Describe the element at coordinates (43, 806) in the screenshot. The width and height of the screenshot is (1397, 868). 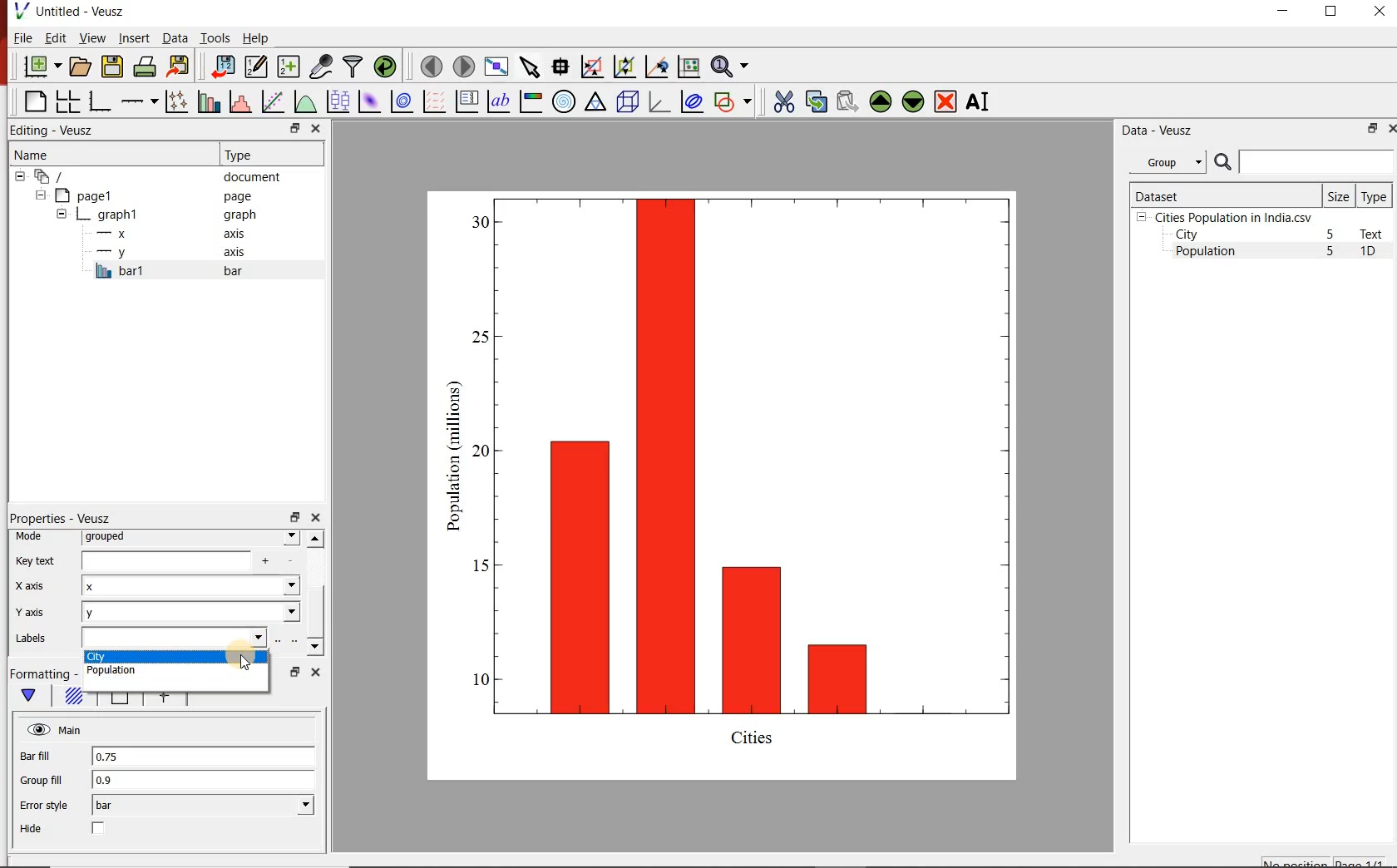
I see `Error style` at that location.